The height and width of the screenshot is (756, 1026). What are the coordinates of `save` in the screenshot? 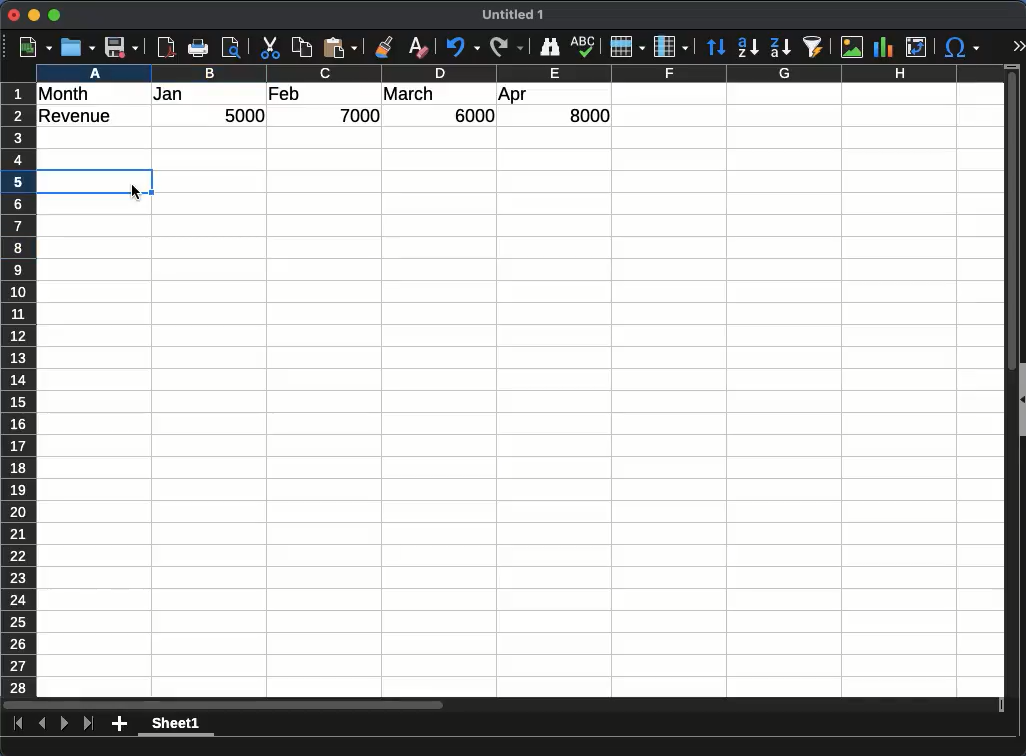 It's located at (121, 47).